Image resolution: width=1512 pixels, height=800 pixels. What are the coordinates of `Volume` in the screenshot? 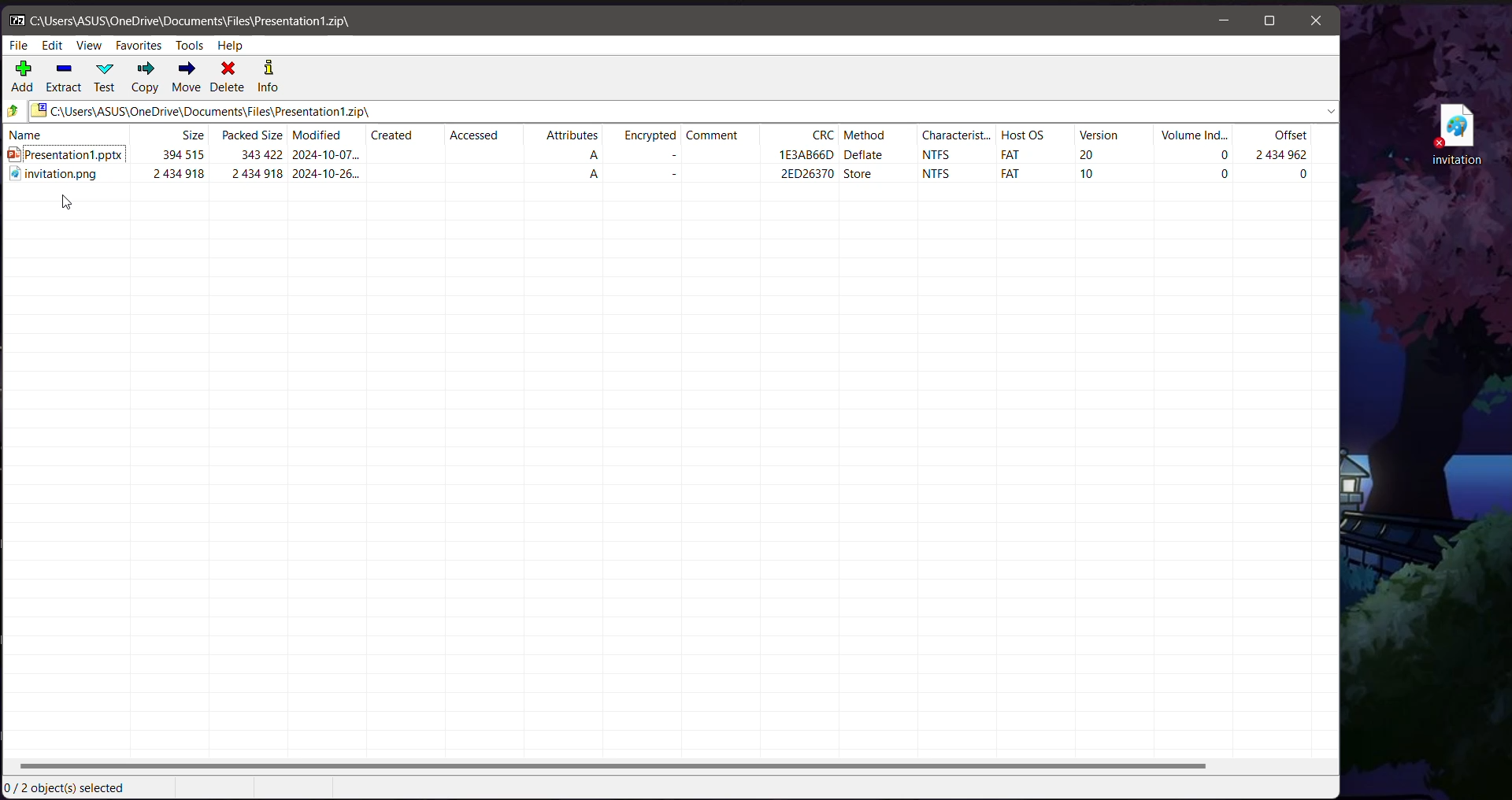 It's located at (1194, 135).